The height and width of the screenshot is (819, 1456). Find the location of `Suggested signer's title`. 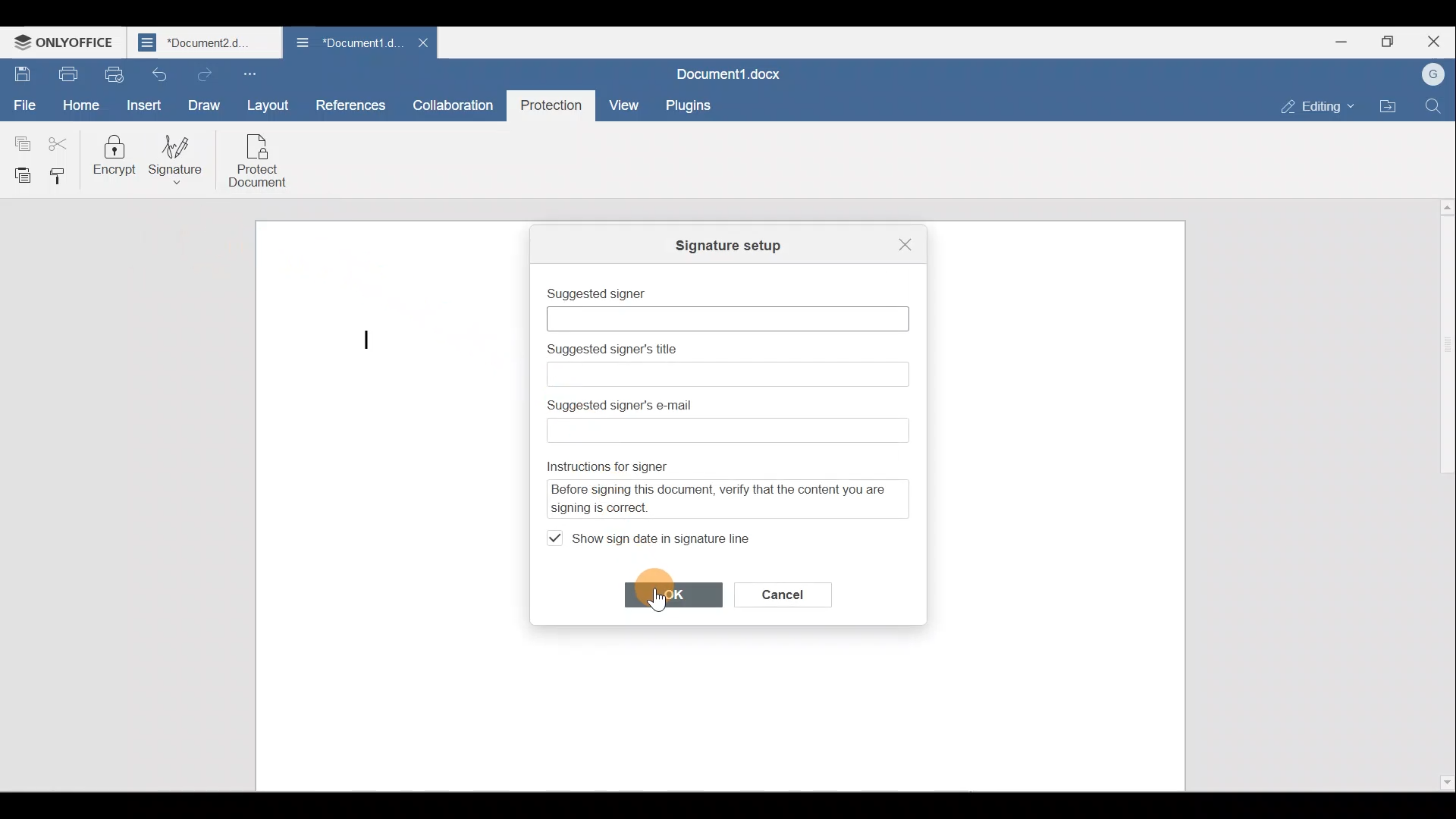

Suggested signer's title is located at coordinates (625, 347).